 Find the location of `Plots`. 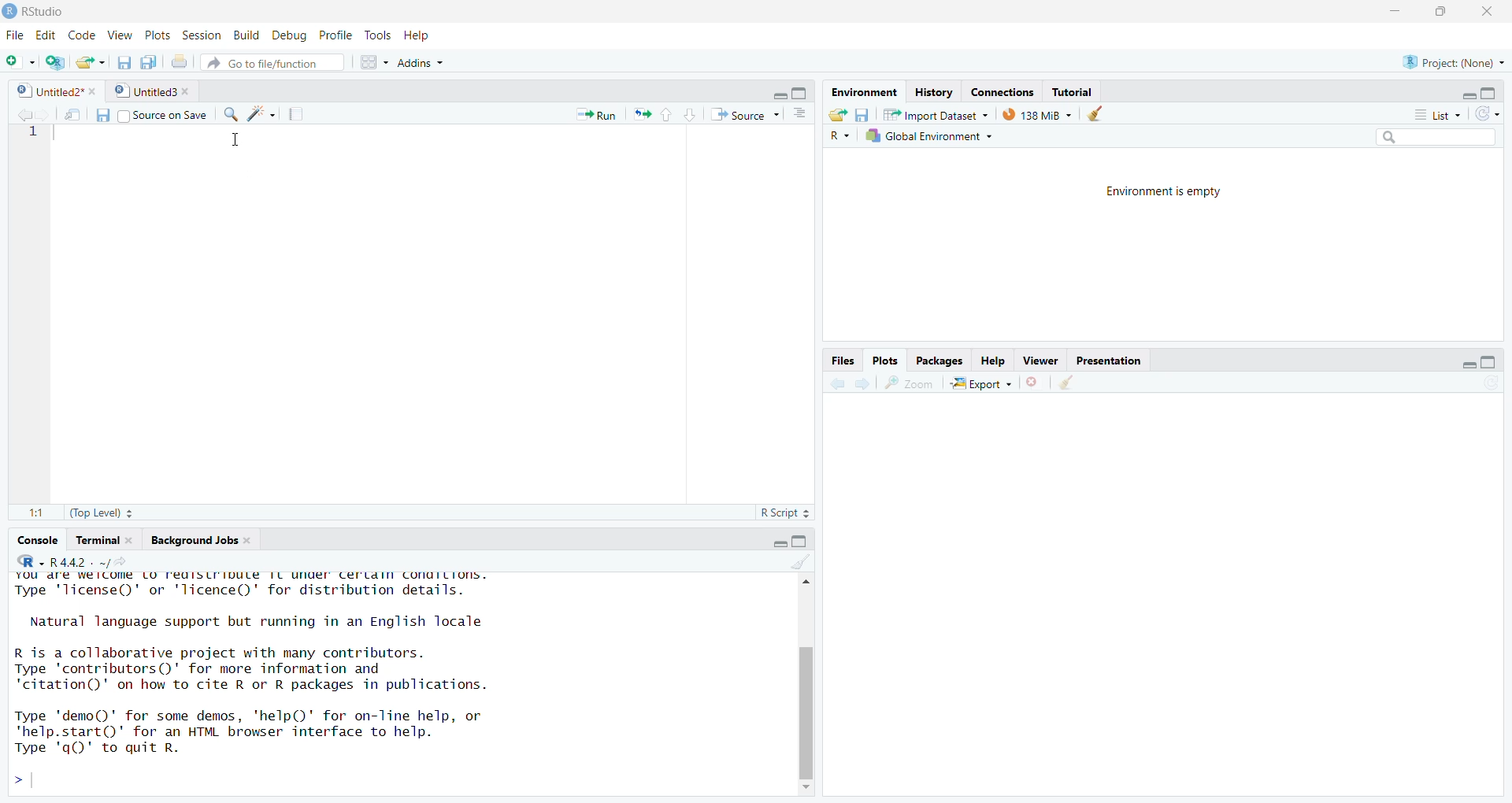

Plots is located at coordinates (157, 33).